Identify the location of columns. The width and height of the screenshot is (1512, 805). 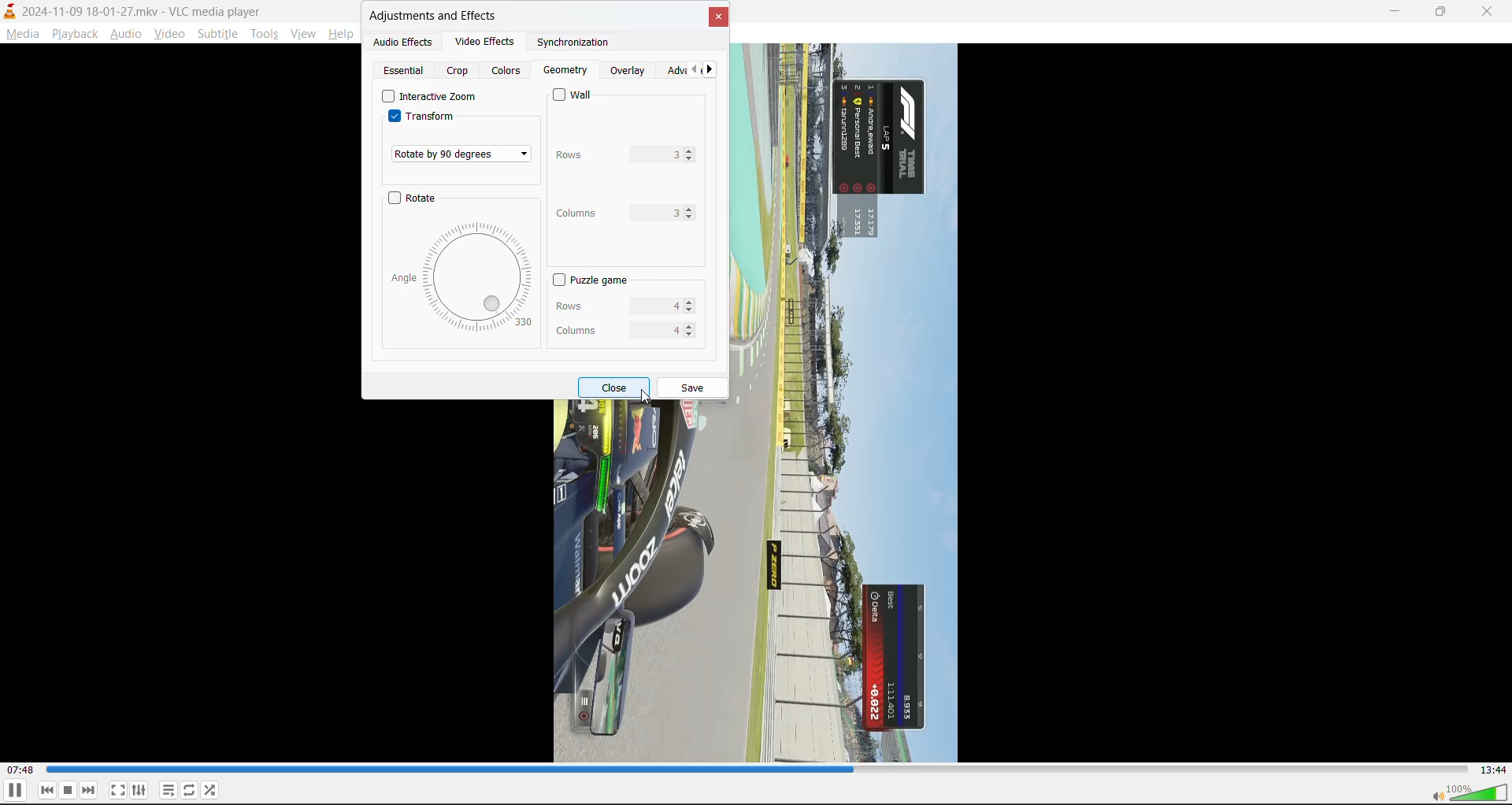
(617, 216).